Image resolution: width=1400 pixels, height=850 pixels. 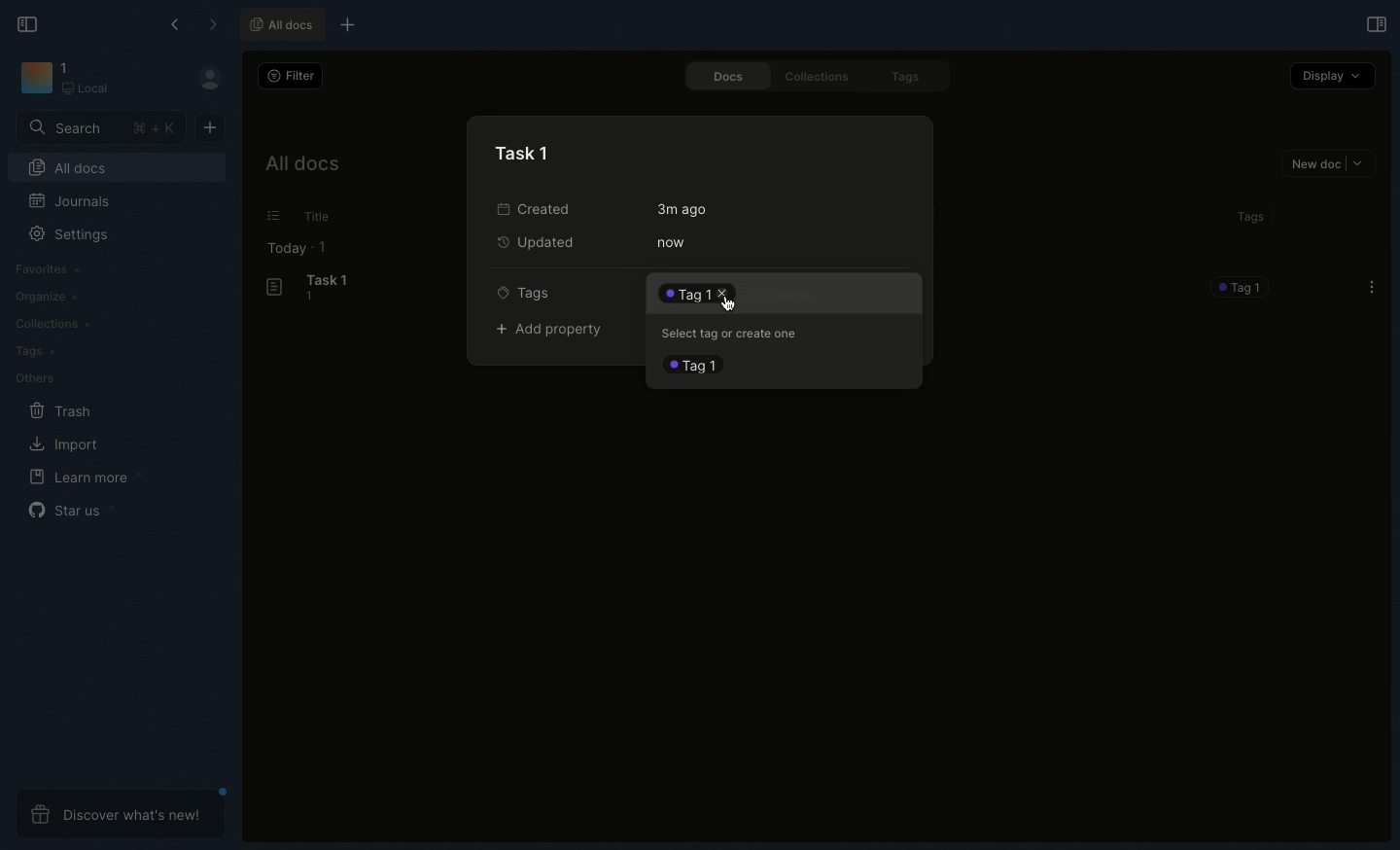 I want to click on Favorites, so click(x=50, y=269).